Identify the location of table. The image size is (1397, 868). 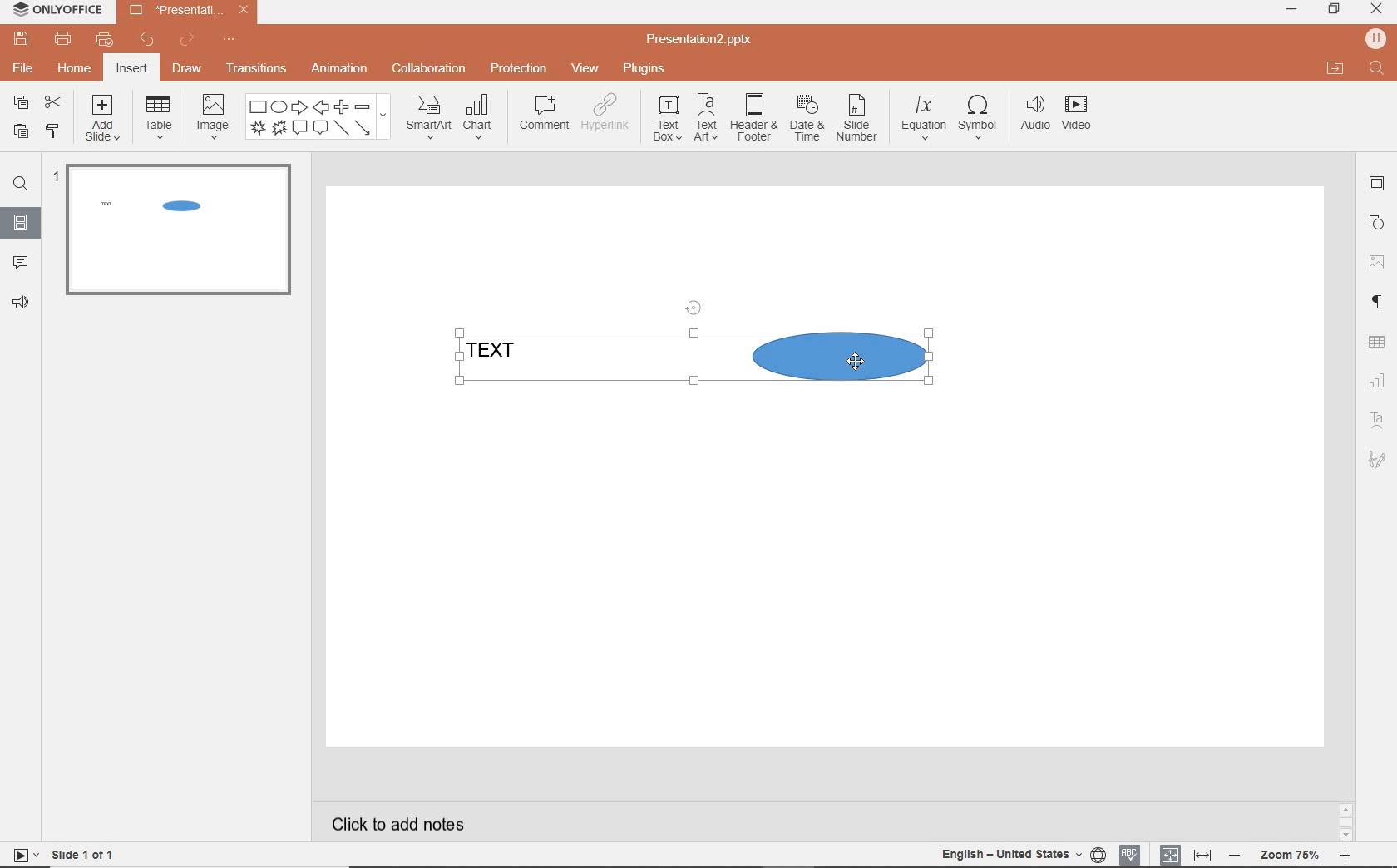
(156, 118).